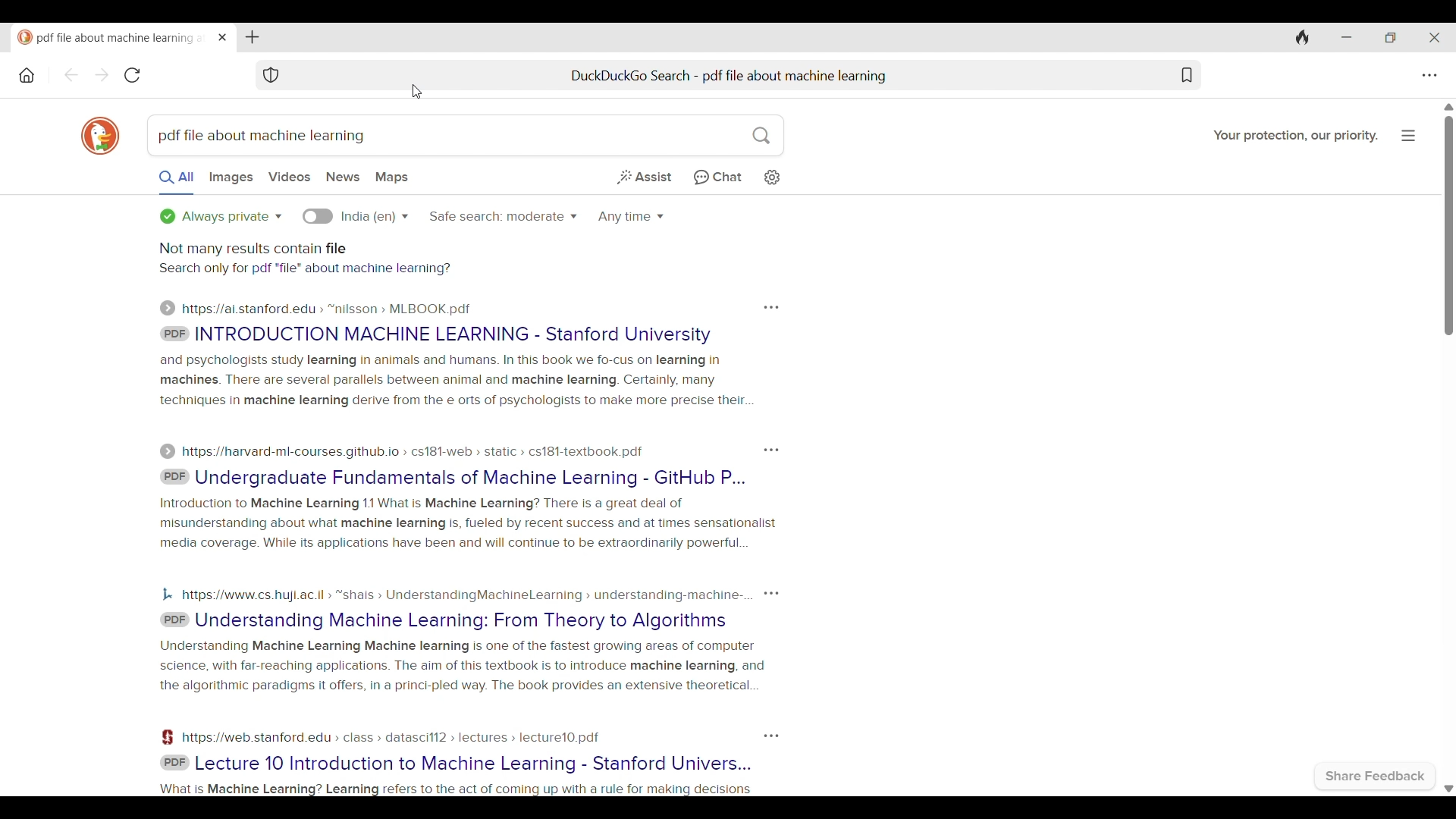 Image resolution: width=1456 pixels, height=819 pixels. What do you see at coordinates (1390, 37) in the screenshot?
I see `Show interface in a smaller tab` at bounding box center [1390, 37].